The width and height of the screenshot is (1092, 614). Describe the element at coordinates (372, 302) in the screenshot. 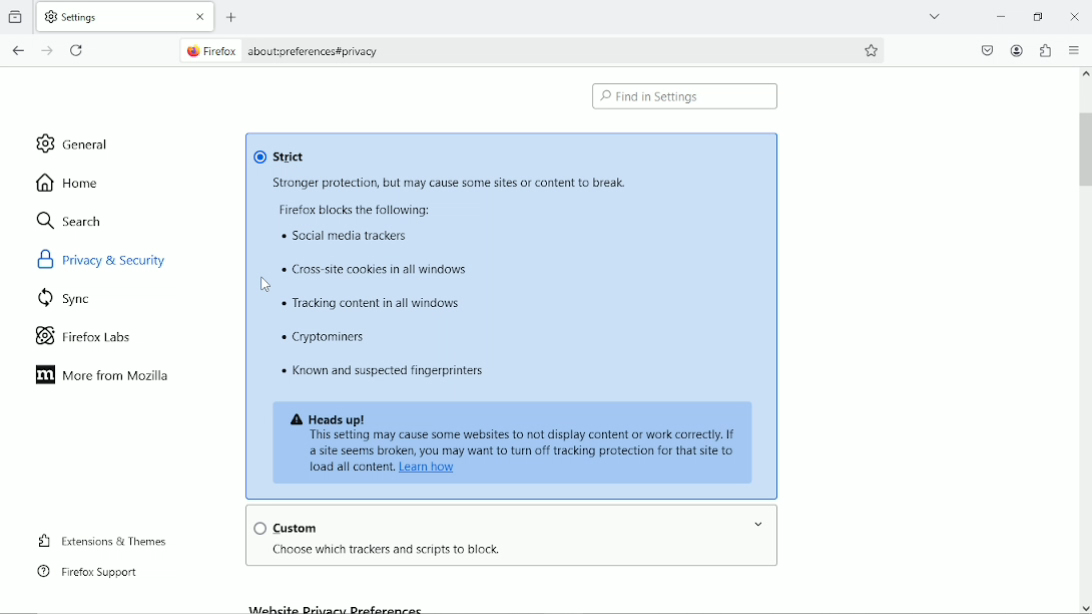

I see `text` at that location.